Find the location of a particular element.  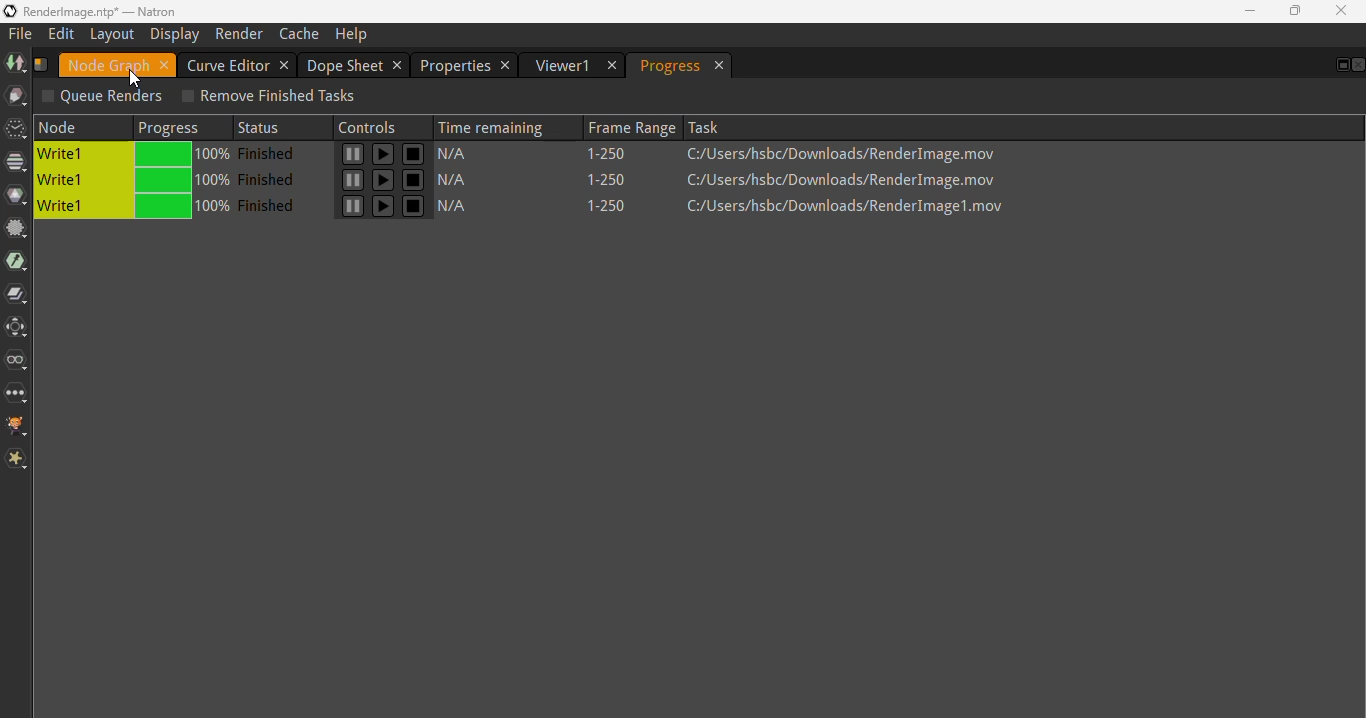

write 1 is located at coordinates (83, 155).